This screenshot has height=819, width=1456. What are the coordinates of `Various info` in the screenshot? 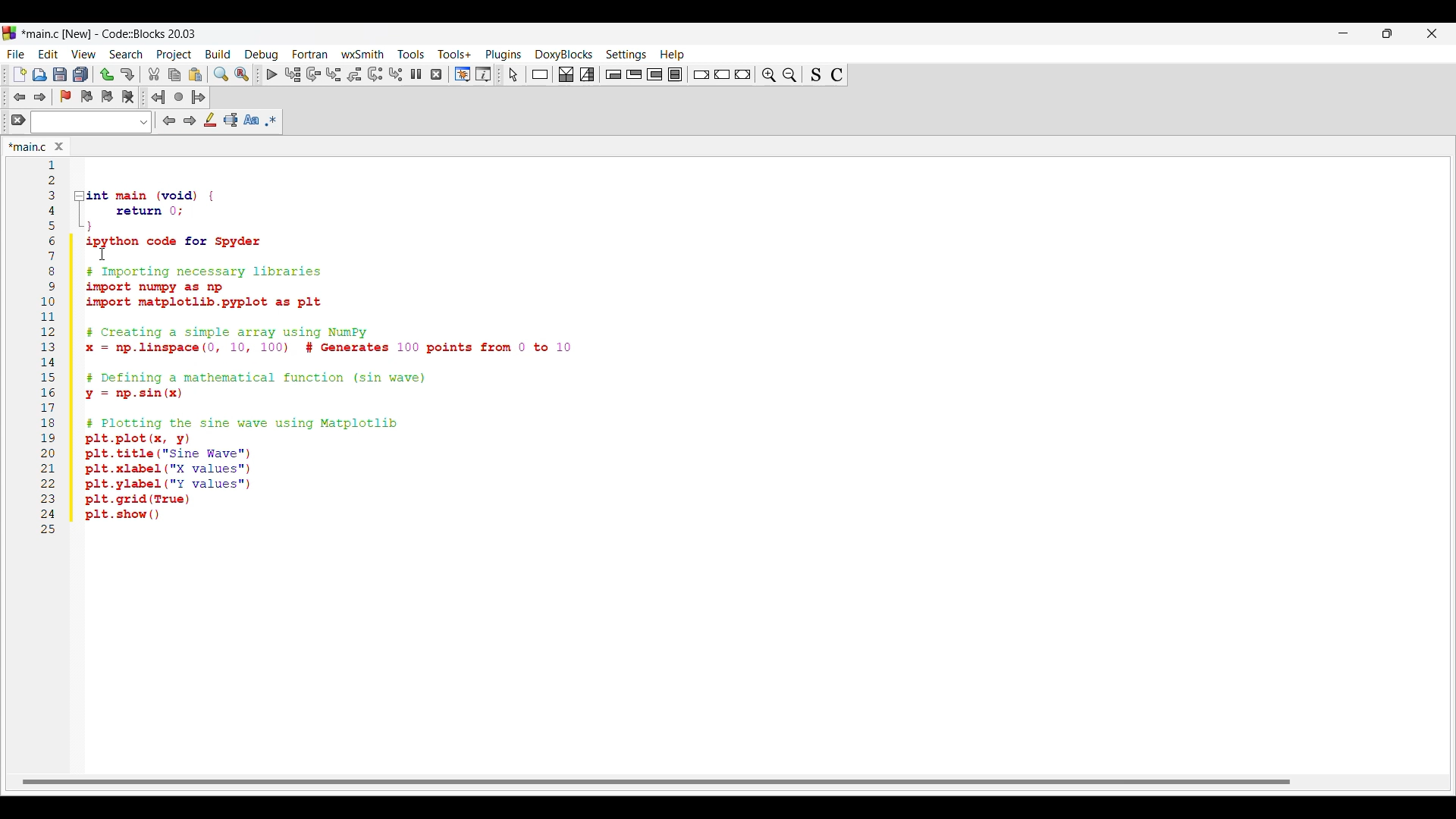 It's located at (483, 74).